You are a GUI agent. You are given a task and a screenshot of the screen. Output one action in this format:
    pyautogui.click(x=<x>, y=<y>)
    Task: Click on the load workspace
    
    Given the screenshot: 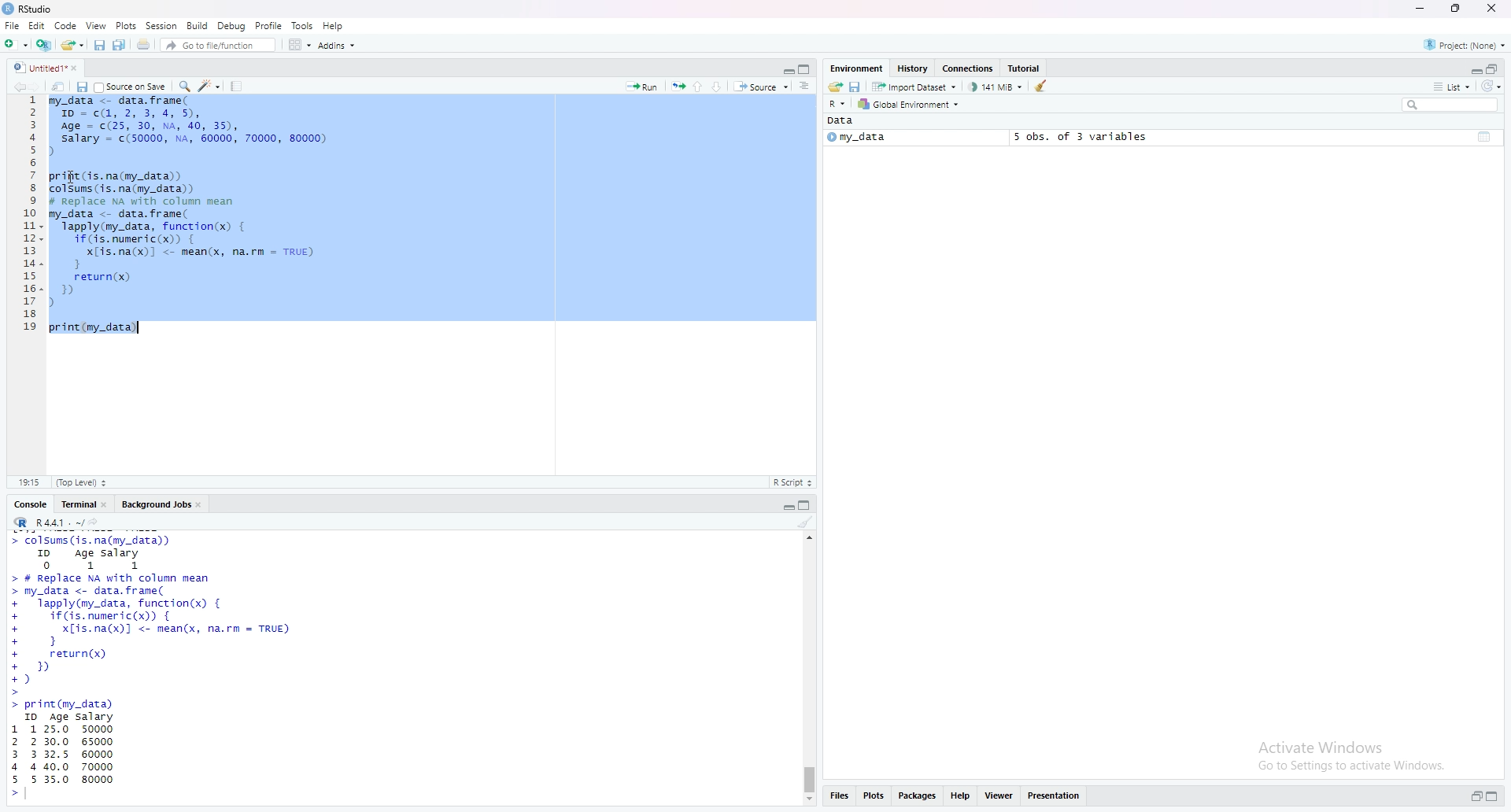 What is the action you would take?
    pyautogui.click(x=834, y=87)
    